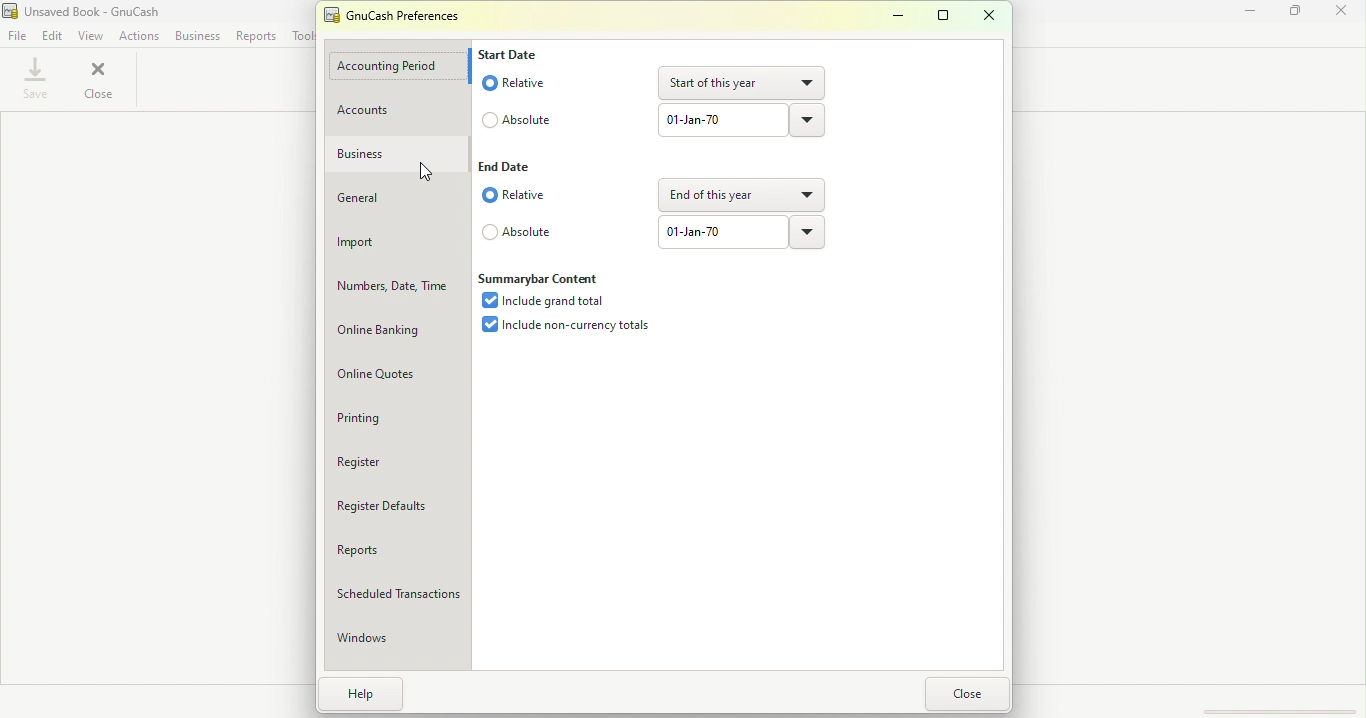  What do you see at coordinates (960, 700) in the screenshot?
I see `Close` at bounding box center [960, 700].